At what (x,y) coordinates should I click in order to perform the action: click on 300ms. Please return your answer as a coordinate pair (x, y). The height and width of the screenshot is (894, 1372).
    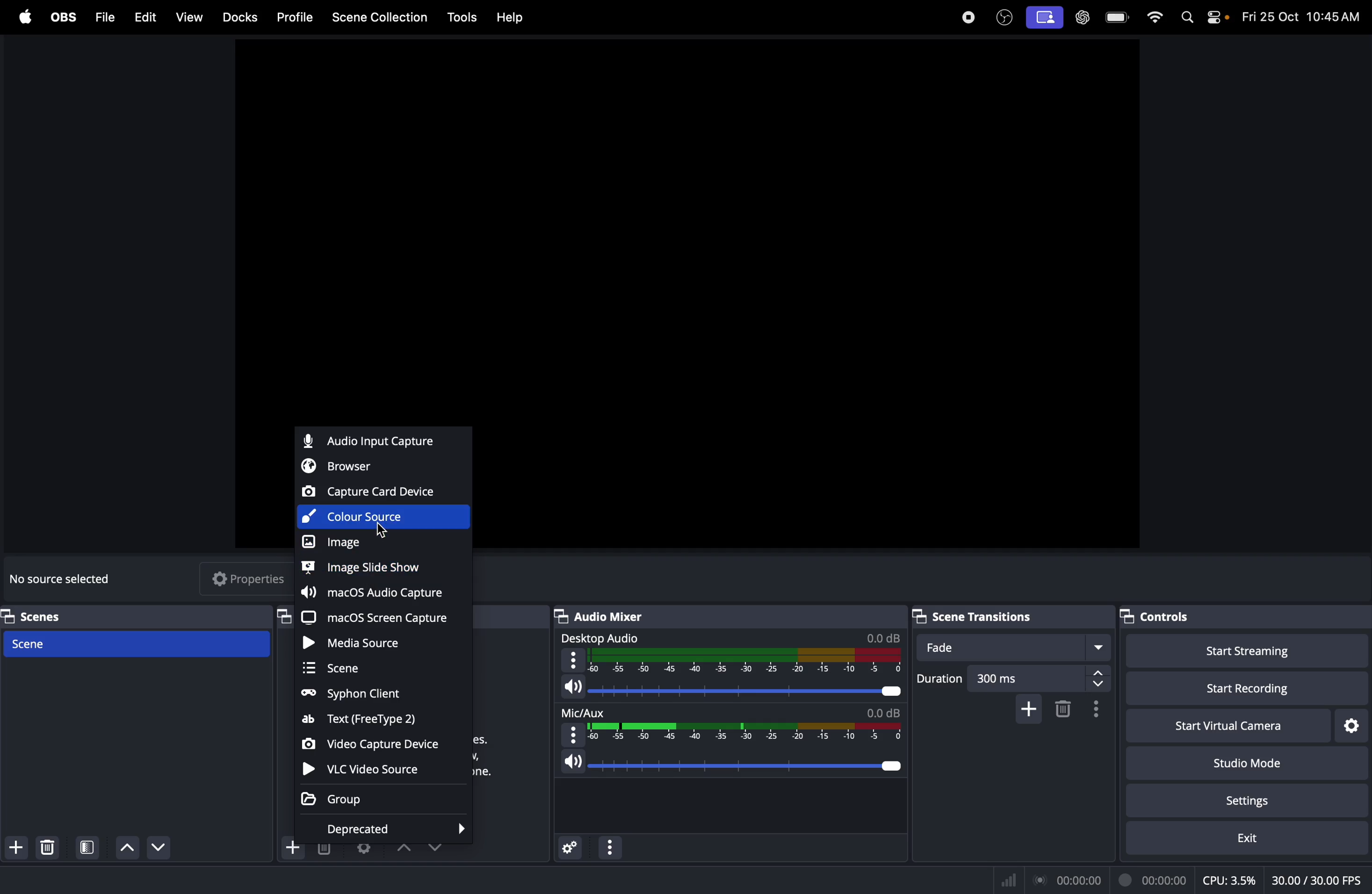
    Looking at the image, I should click on (1041, 678).